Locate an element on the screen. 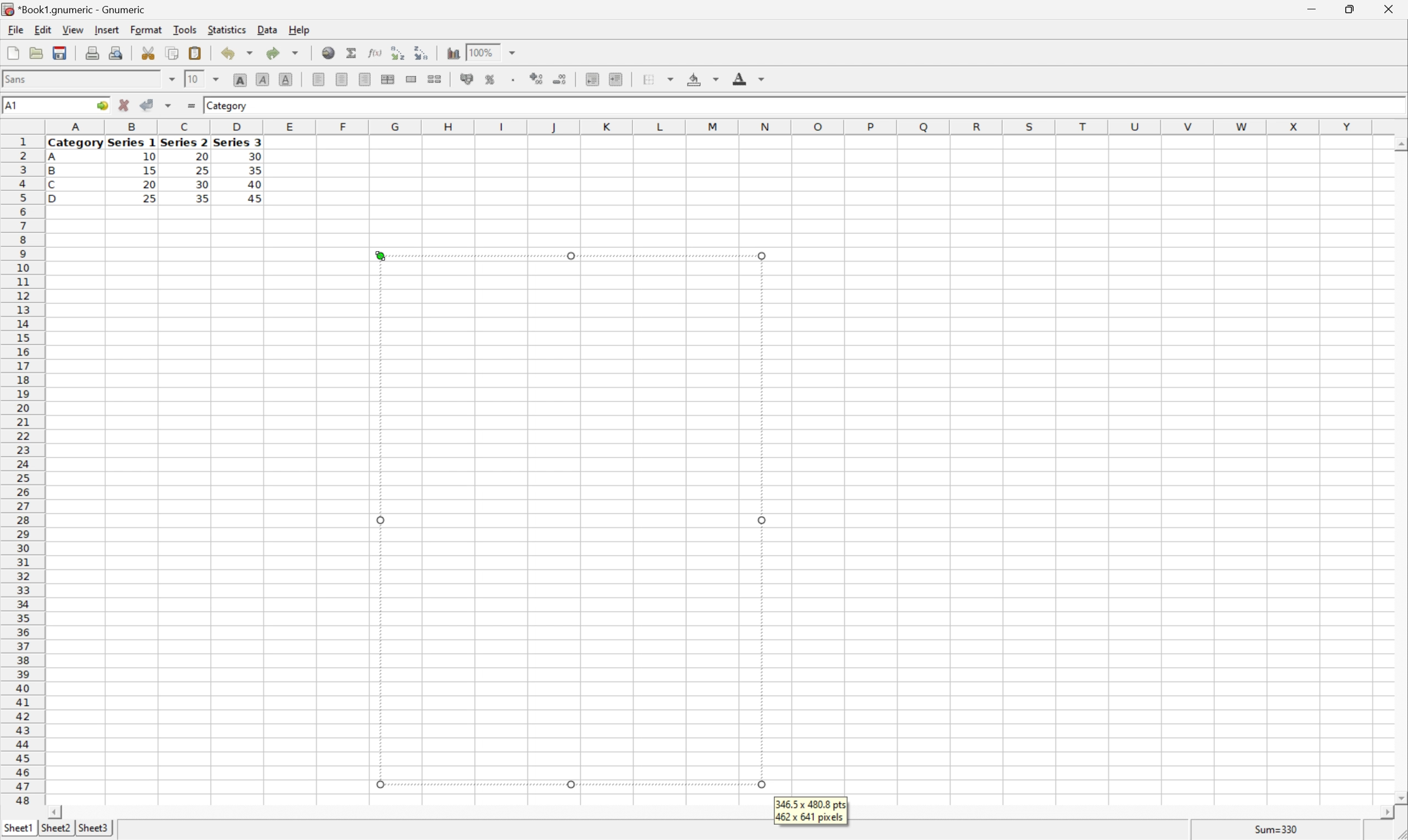 The image size is (1408, 840). Series 2 is located at coordinates (183, 142).